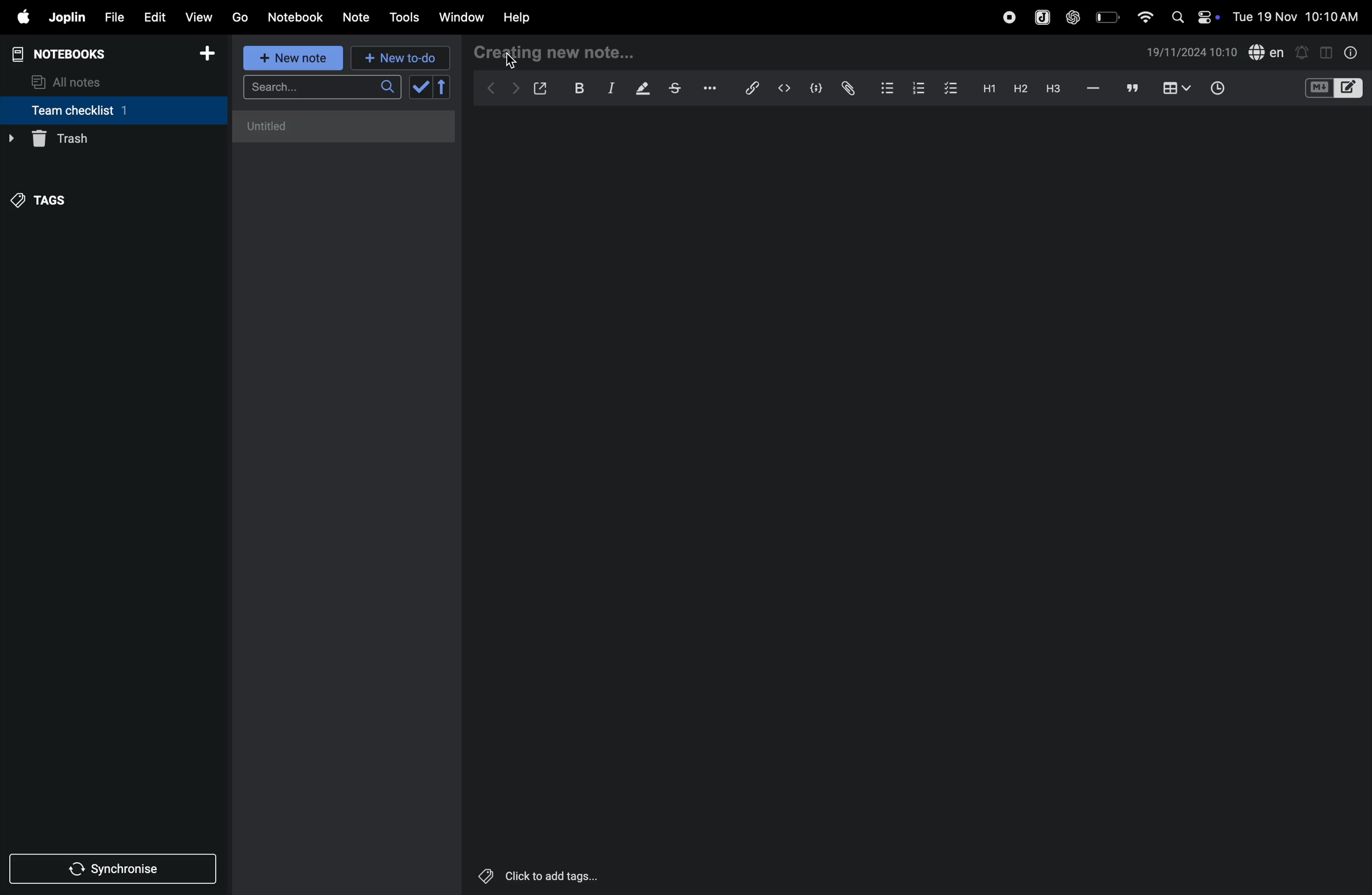 This screenshot has width=1372, height=895. I want to click on team checklist, so click(94, 110).